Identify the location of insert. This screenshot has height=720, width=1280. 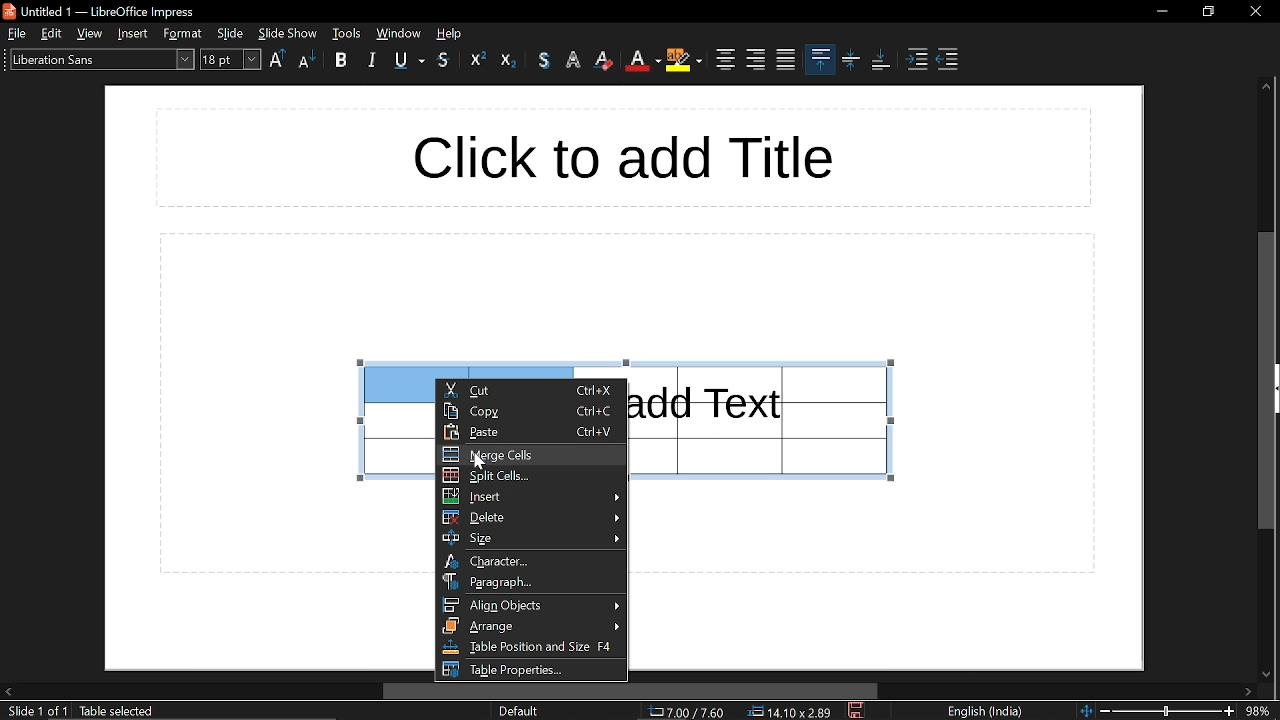
(134, 33).